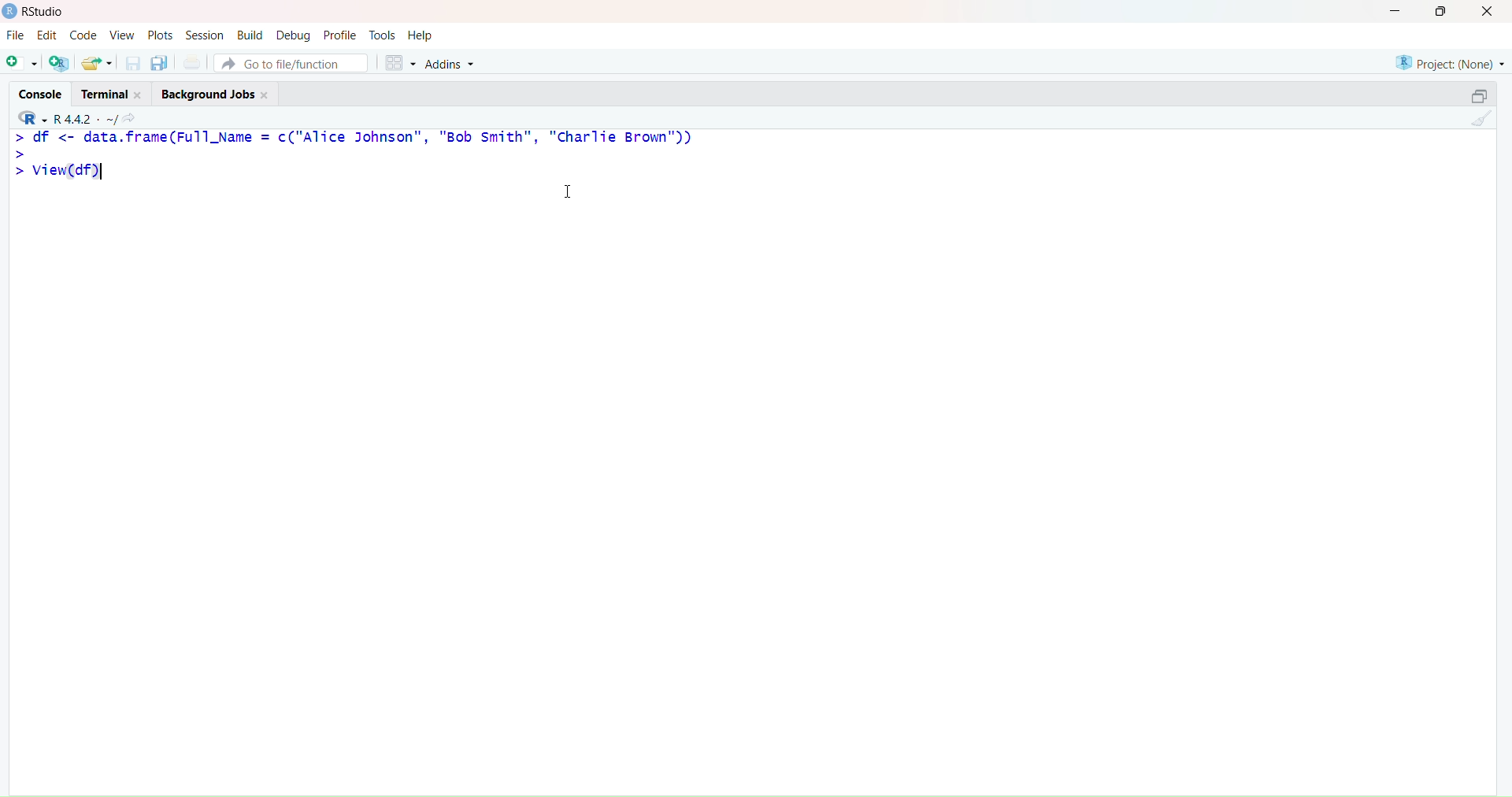 The width and height of the screenshot is (1512, 797). I want to click on Go to file/function, so click(291, 62).